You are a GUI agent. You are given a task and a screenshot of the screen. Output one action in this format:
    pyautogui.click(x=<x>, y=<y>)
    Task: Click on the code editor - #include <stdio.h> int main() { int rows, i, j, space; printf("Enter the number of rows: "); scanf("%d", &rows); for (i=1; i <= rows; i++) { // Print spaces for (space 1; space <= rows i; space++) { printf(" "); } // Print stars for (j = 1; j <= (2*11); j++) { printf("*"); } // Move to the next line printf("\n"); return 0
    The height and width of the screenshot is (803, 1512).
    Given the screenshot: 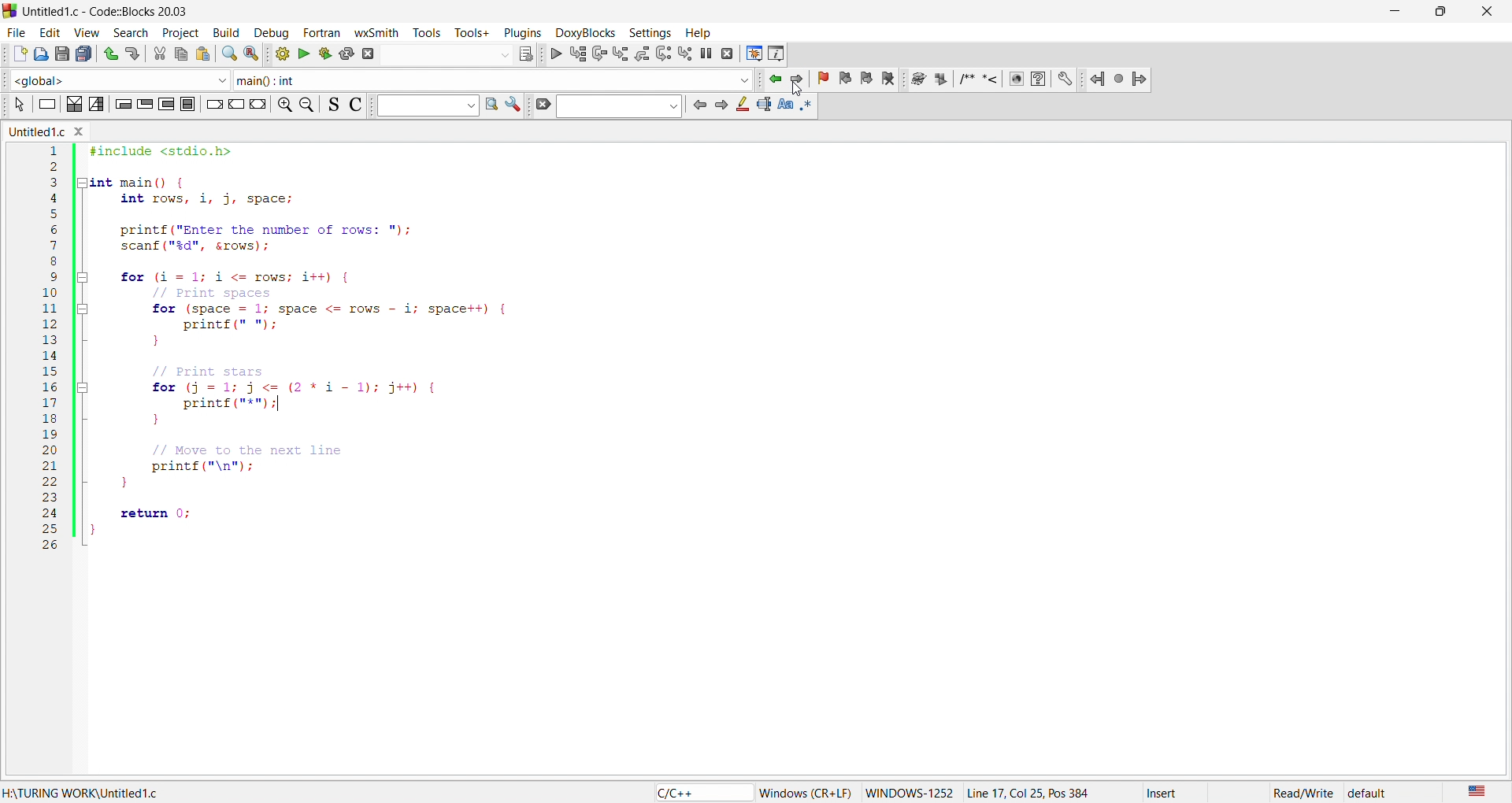 What is the action you would take?
    pyautogui.click(x=762, y=355)
    